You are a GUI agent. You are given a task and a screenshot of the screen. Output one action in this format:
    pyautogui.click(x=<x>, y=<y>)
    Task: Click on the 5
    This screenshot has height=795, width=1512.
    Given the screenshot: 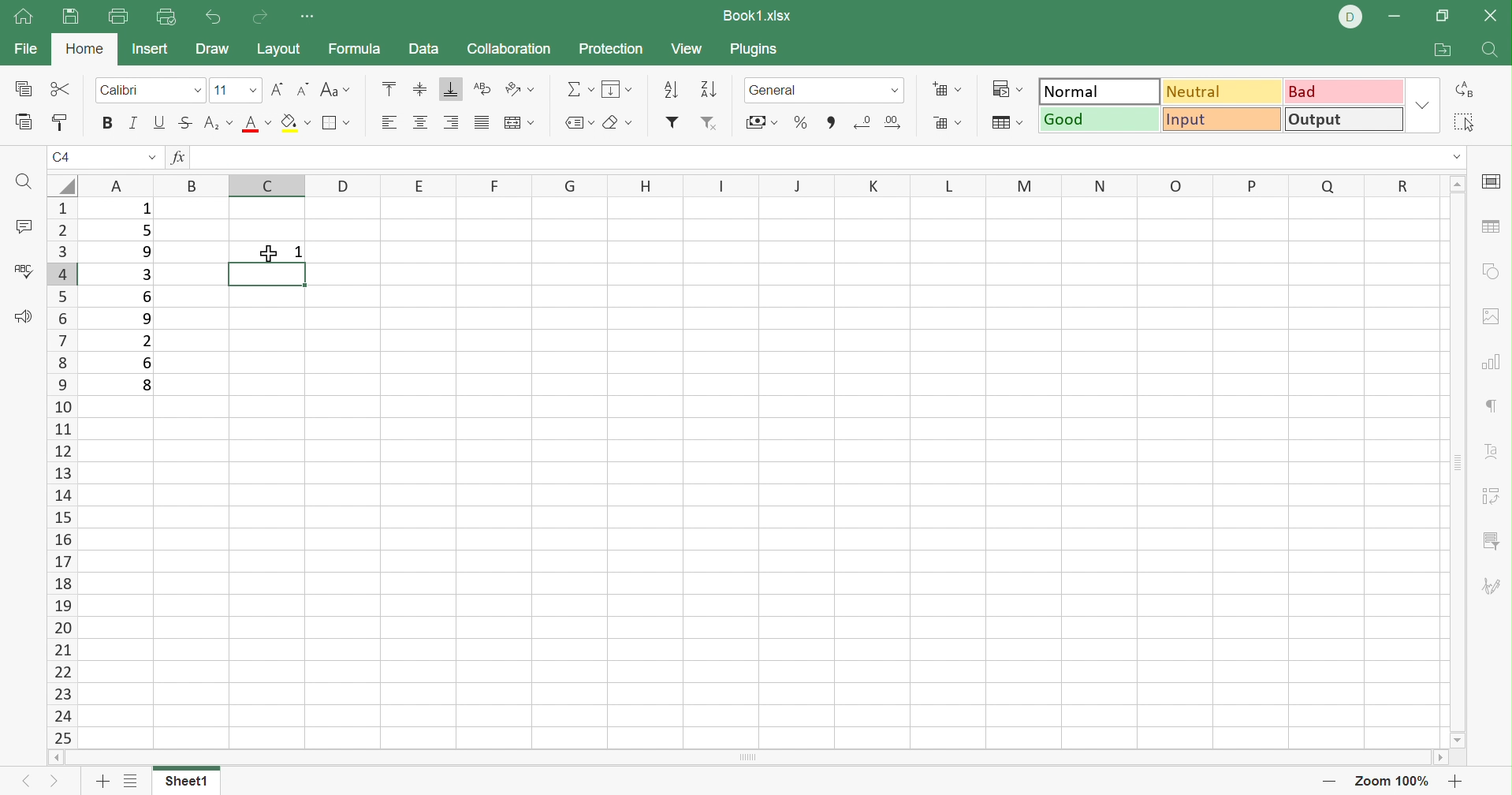 What is the action you would take?
    pyautogui.click(x=147, y=230)
    